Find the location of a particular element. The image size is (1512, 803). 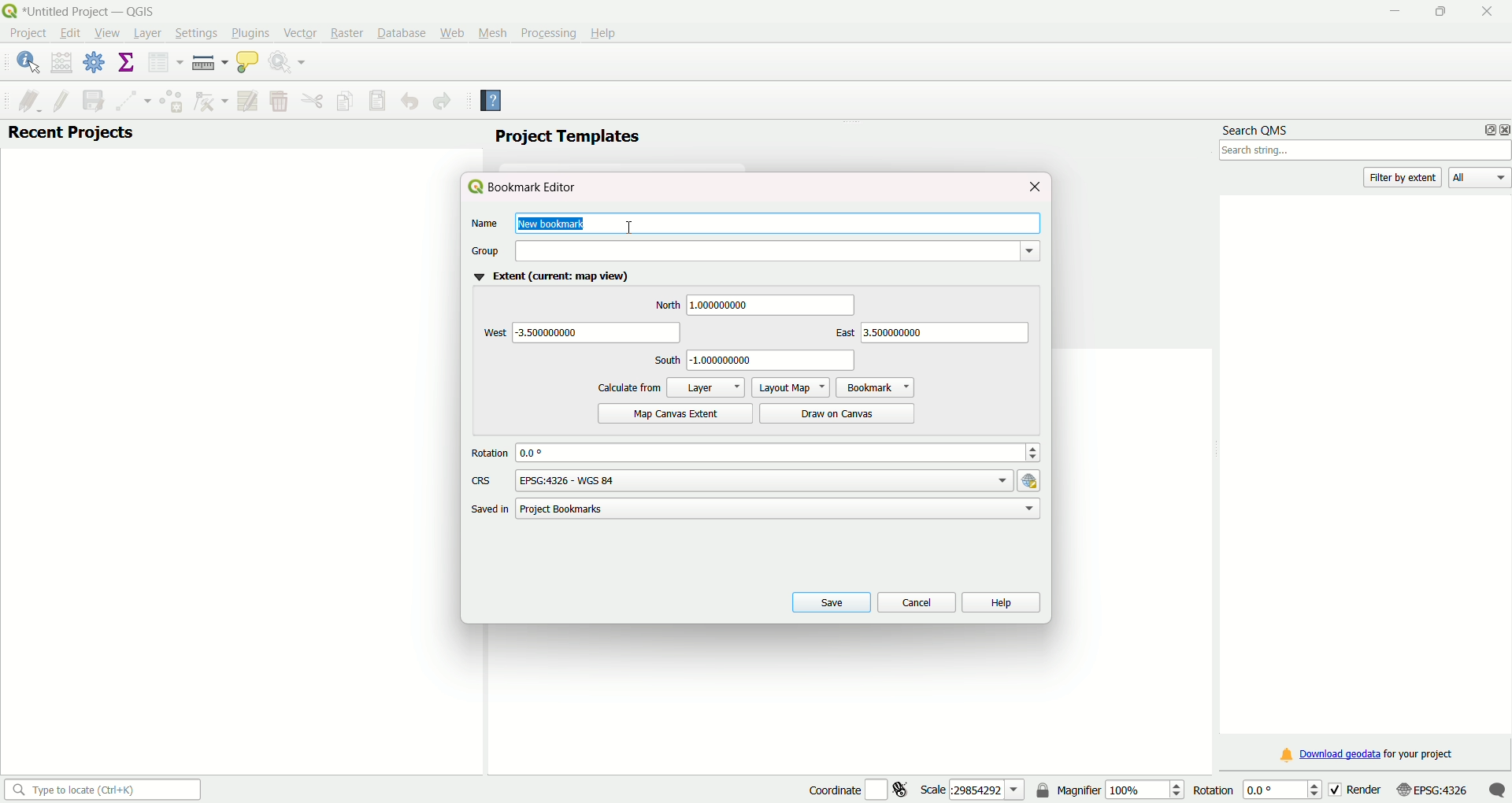

hyperlink is located at coordinates (1032, 480).